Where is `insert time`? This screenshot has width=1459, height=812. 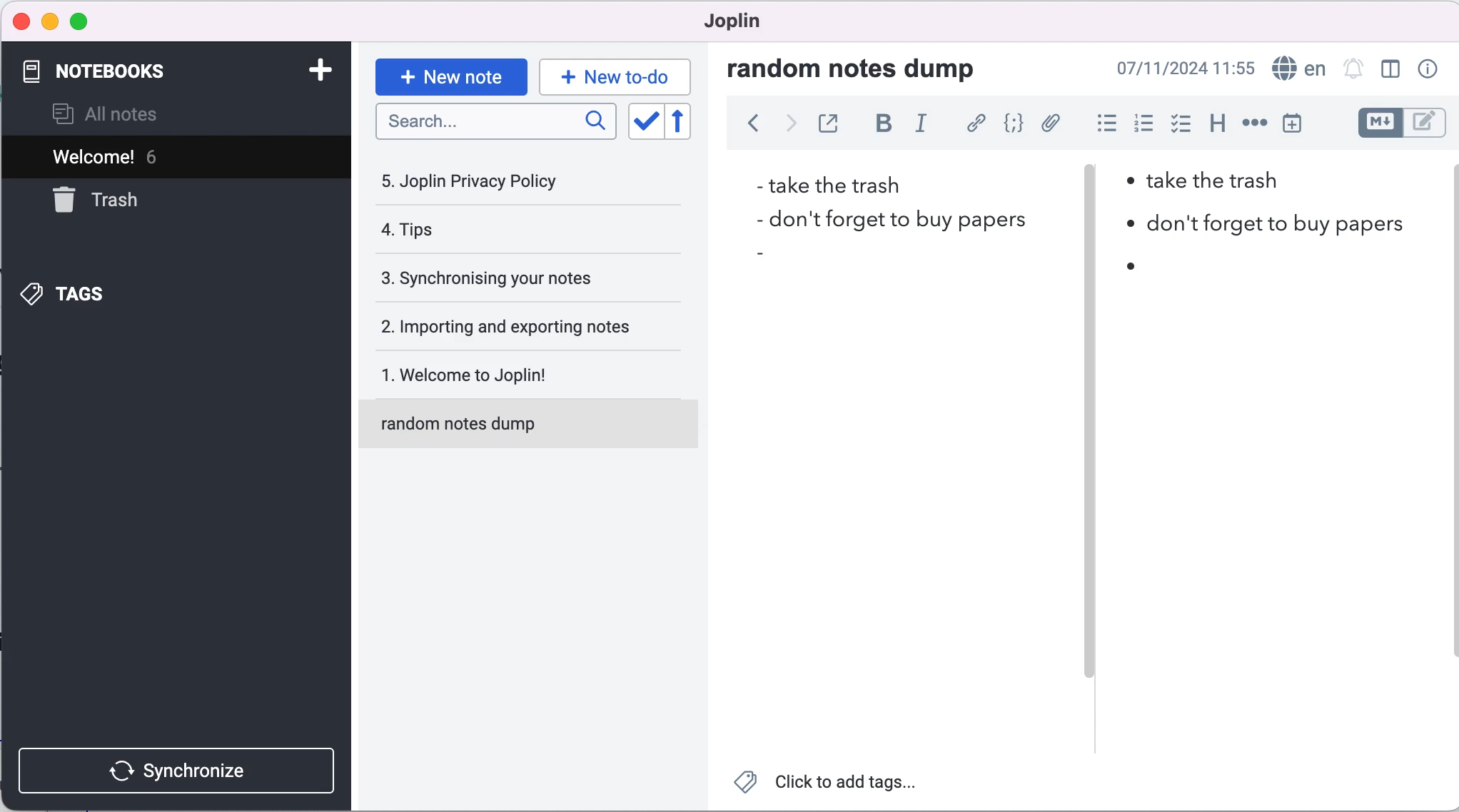
insert time is located at coordinates (1301, 123).